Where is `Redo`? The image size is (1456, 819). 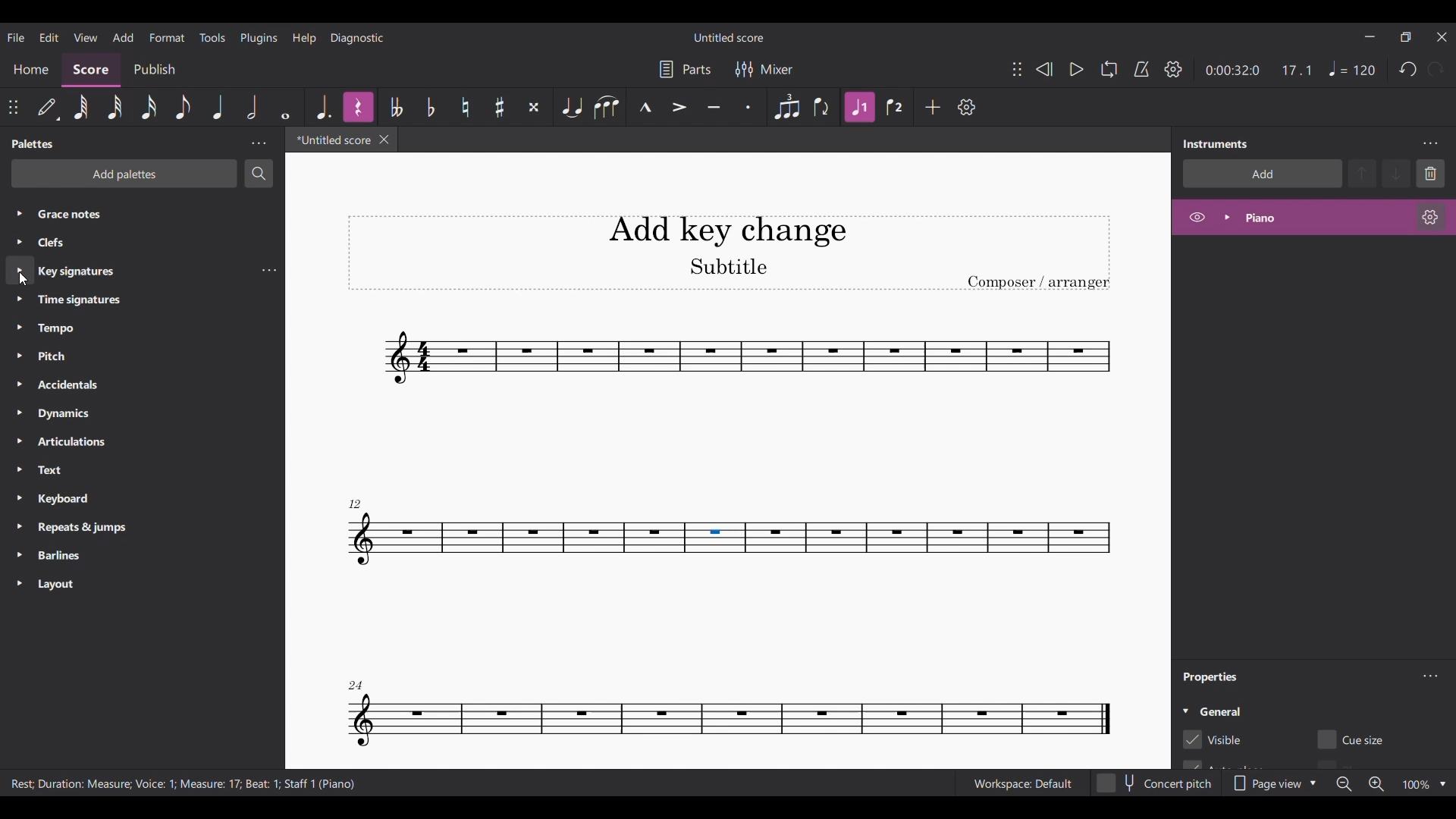
Redo is located at coordinates (1436, 69).